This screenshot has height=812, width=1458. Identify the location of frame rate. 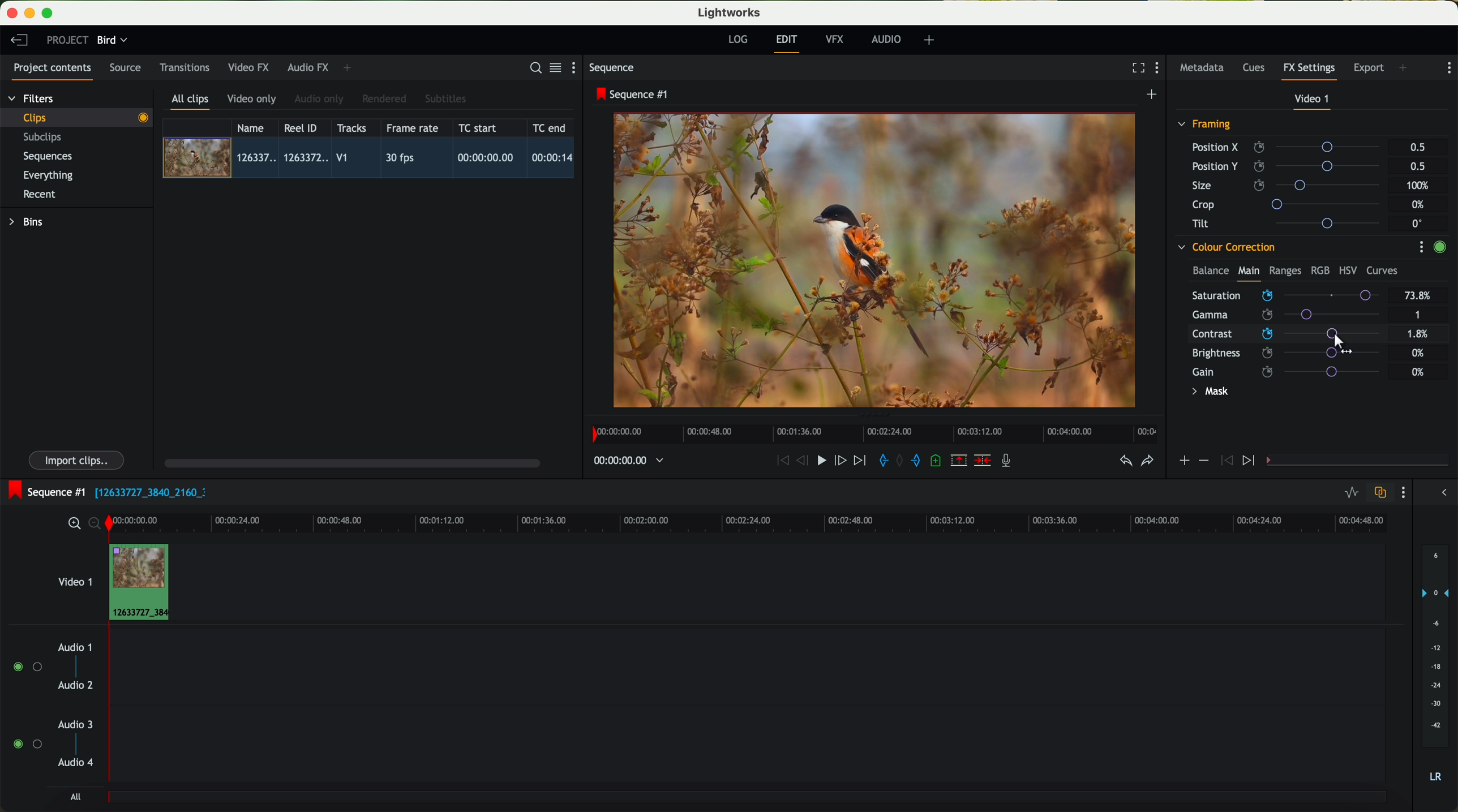
(413, 128).